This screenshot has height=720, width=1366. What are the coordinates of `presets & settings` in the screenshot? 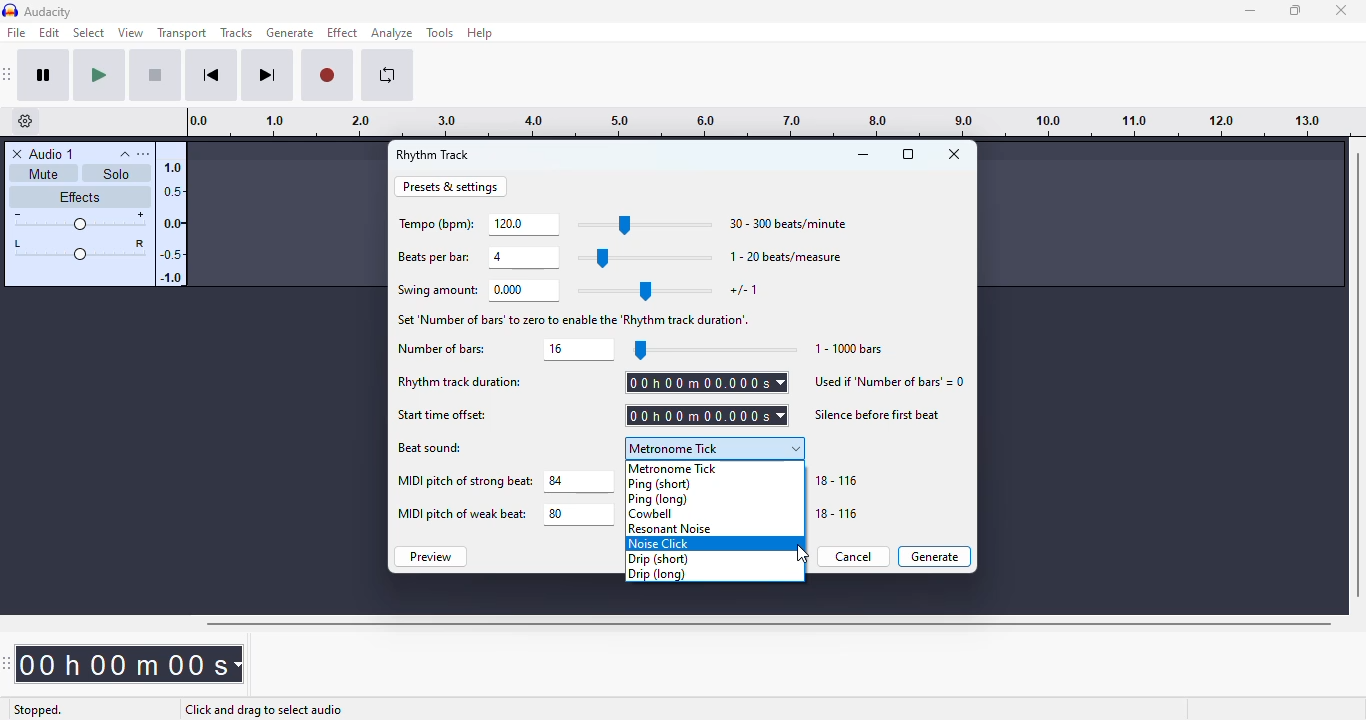 It's located at (449, 187).